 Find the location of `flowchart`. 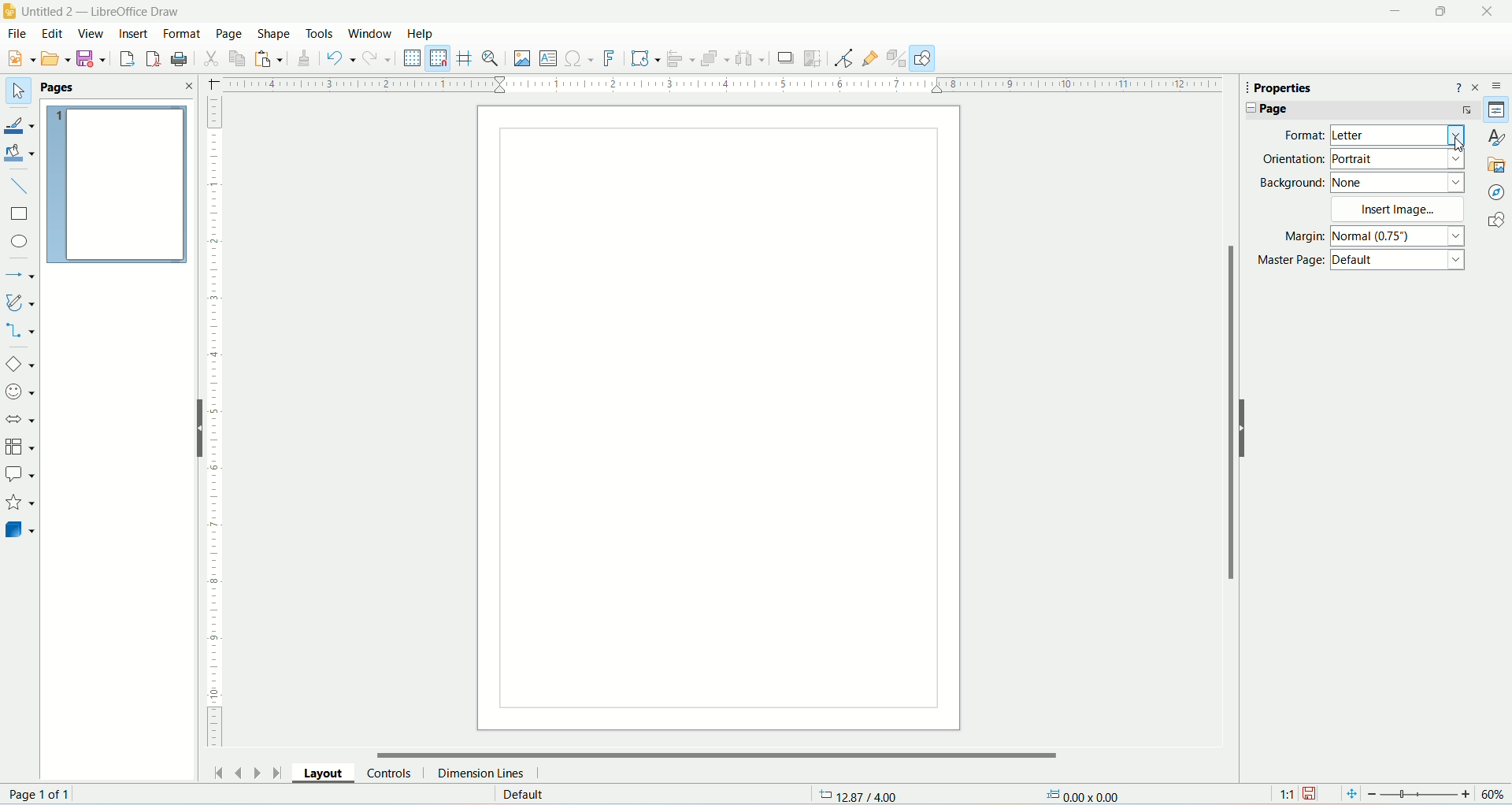

flowchart is located at coordinates (19, 448).